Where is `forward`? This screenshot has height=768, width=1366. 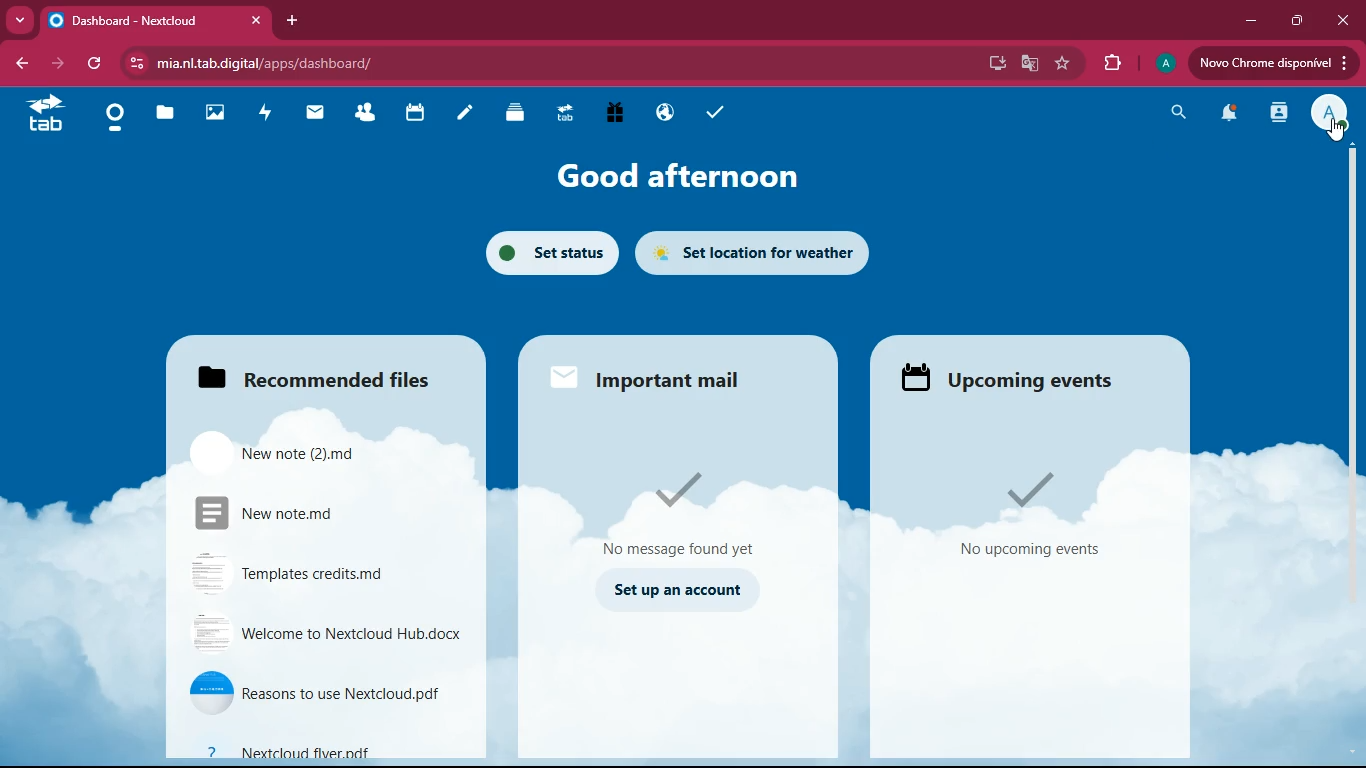 forward is located at coordinates (60, 65).